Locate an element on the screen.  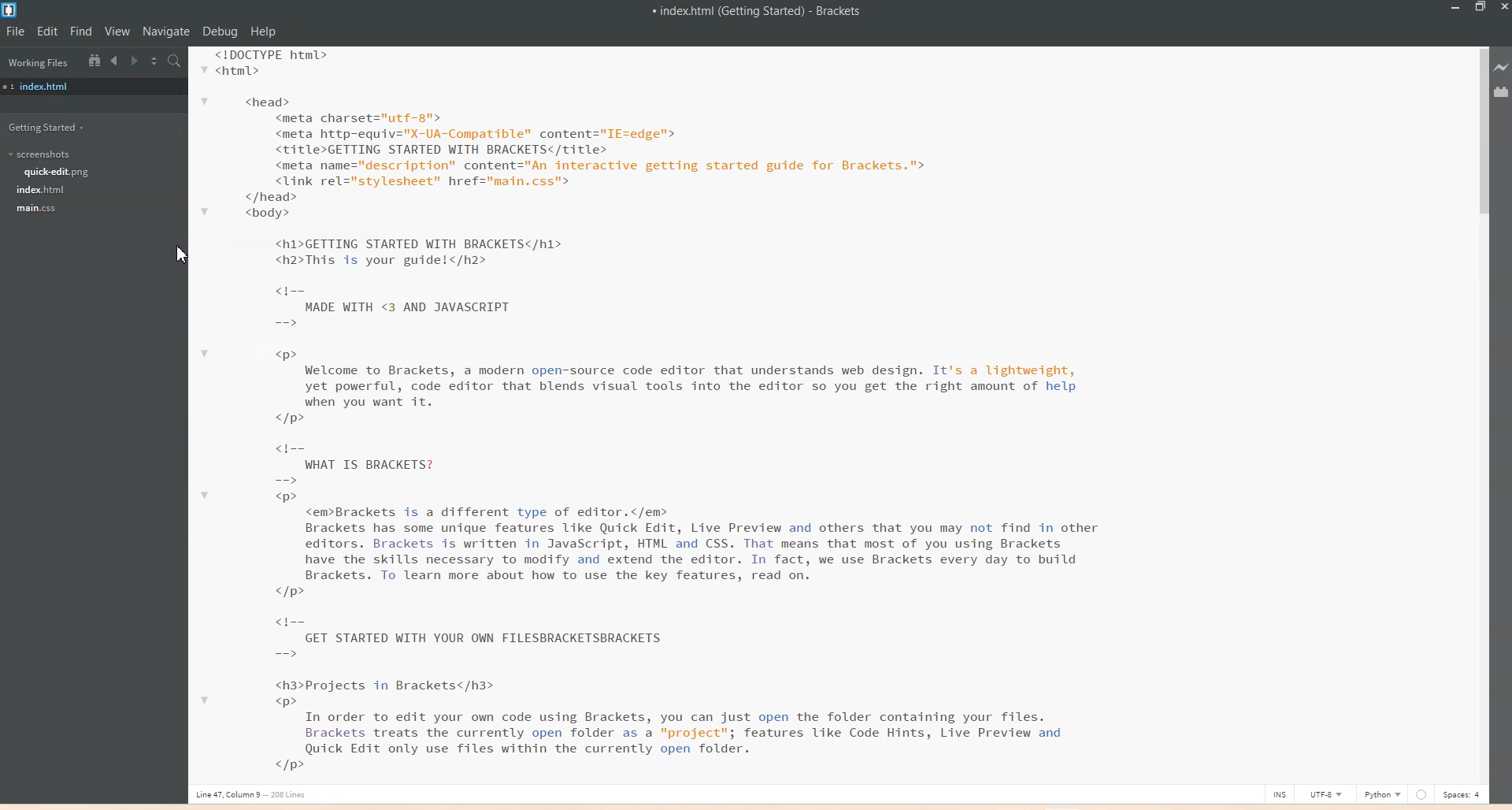
Text is located at coordinates (663, 415).